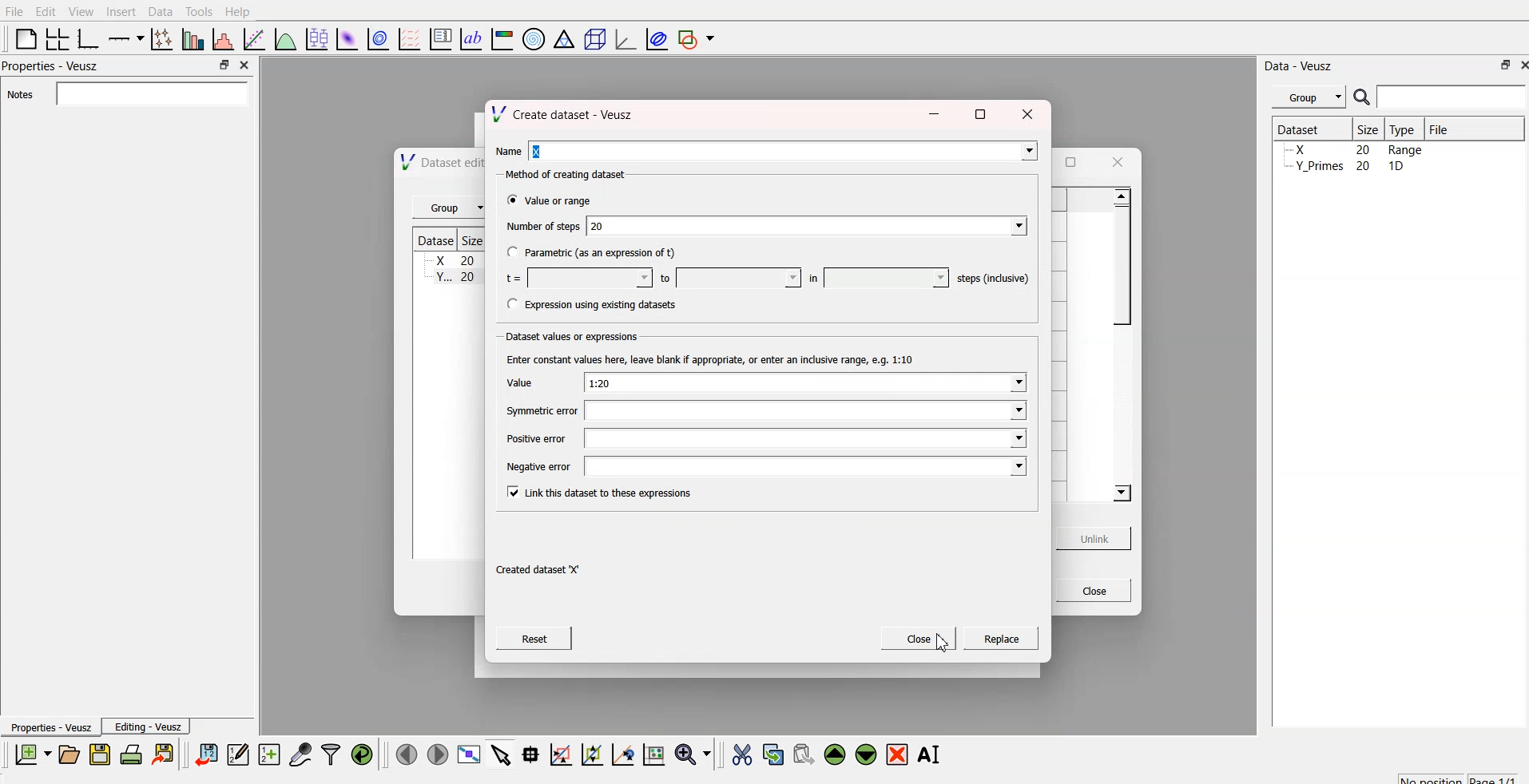  I want to click on add shape to plot, so click(701, 37).